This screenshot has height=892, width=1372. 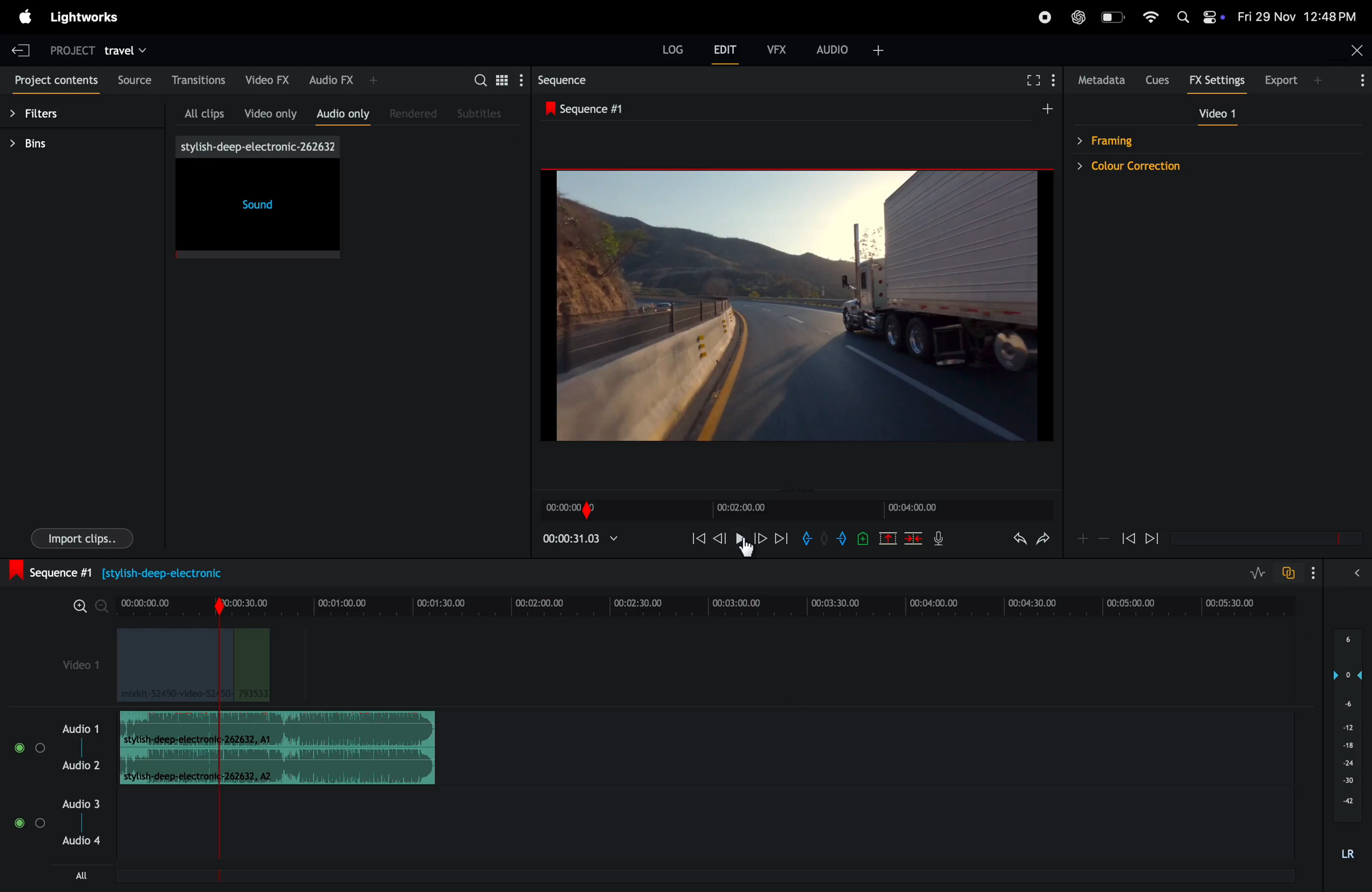 I want to click on Audio, so click(x=79, y=766).